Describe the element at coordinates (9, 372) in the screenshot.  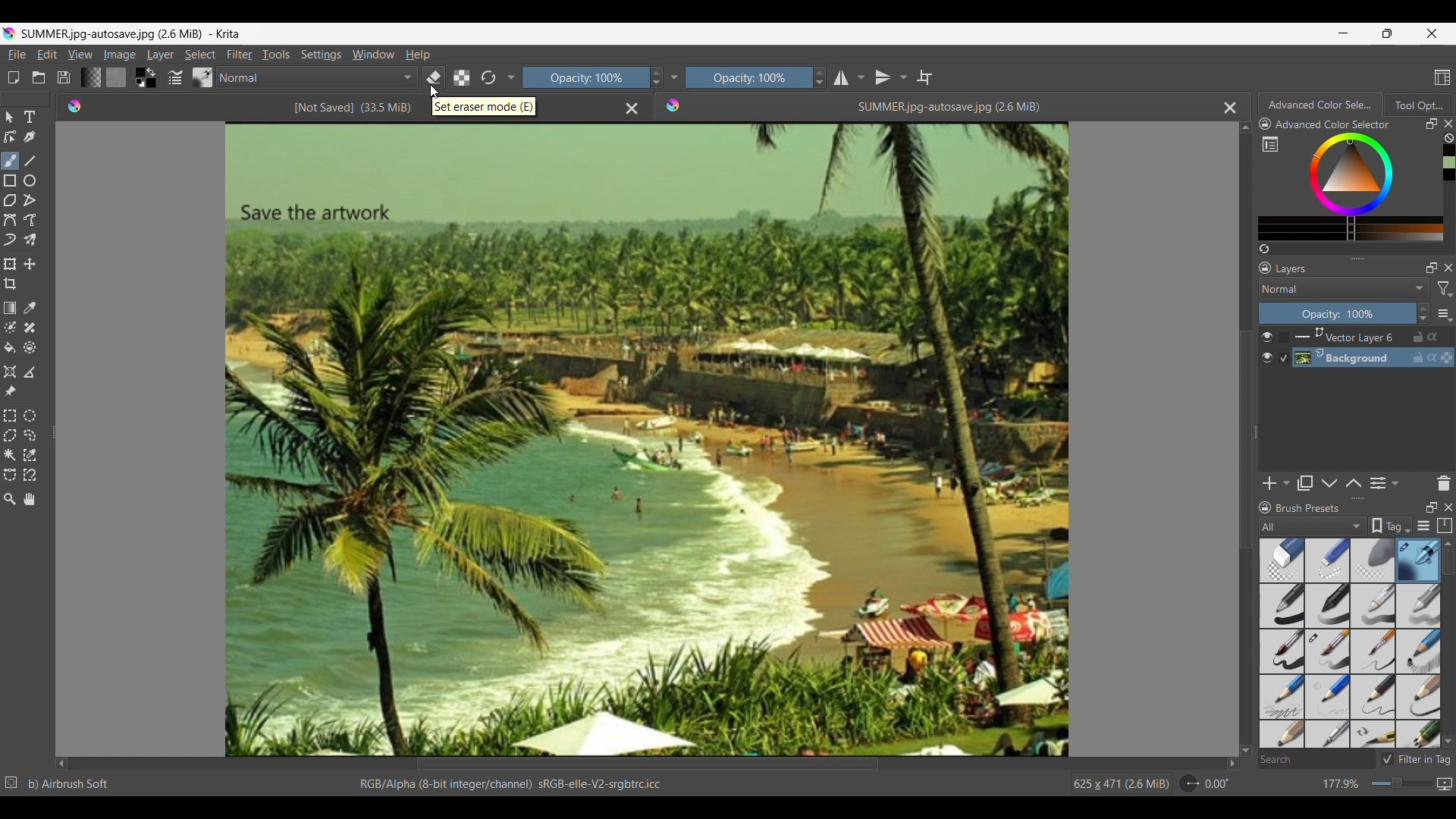
I see `Assistant tool` at that location.